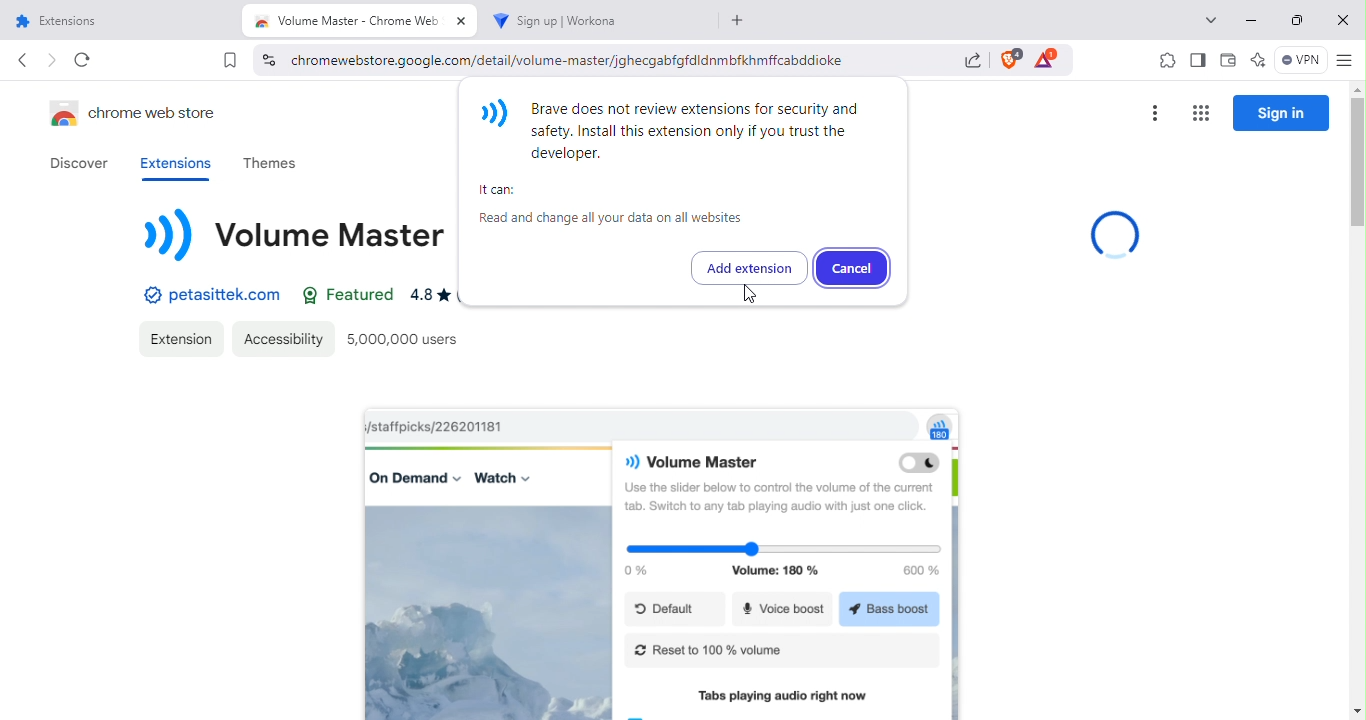  Describe the element at coordinates (1294, 18) in the screenshot. I see `maximize` at that location.